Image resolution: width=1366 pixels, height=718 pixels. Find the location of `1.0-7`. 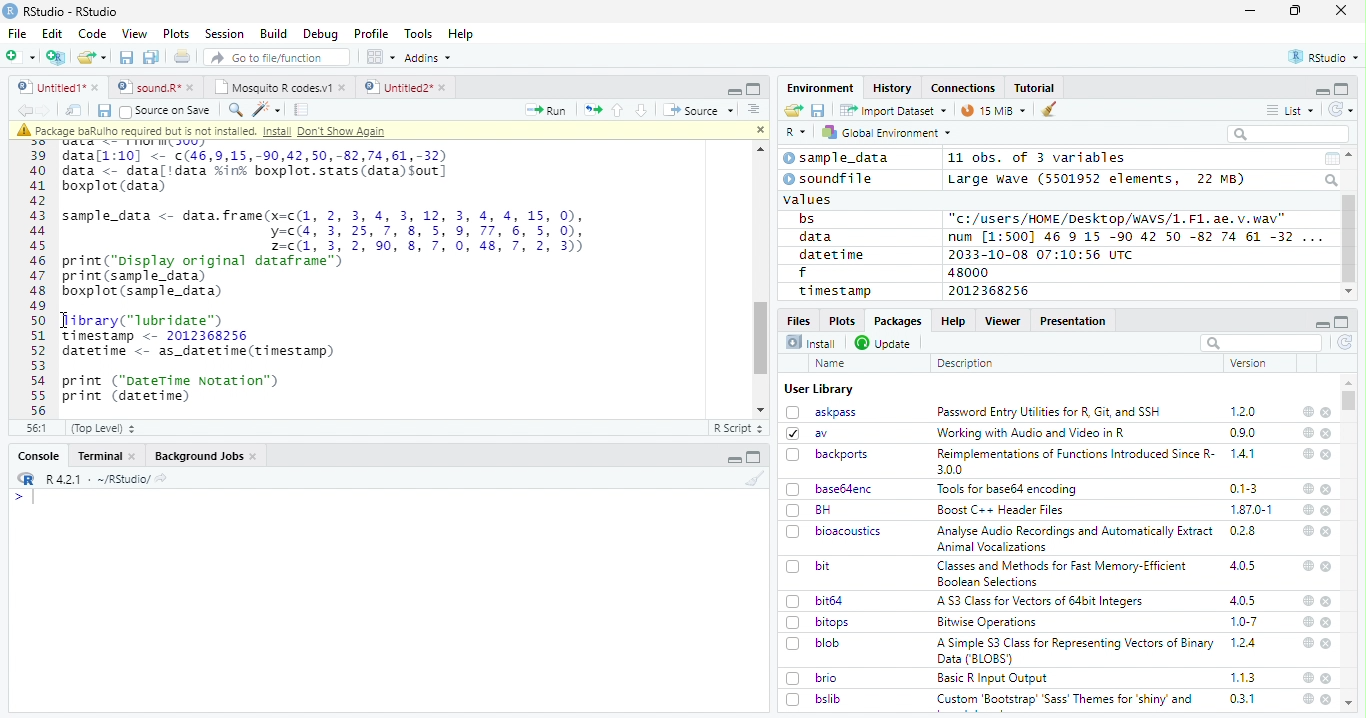

1.0-7 is located at coordinates (1245, 622).